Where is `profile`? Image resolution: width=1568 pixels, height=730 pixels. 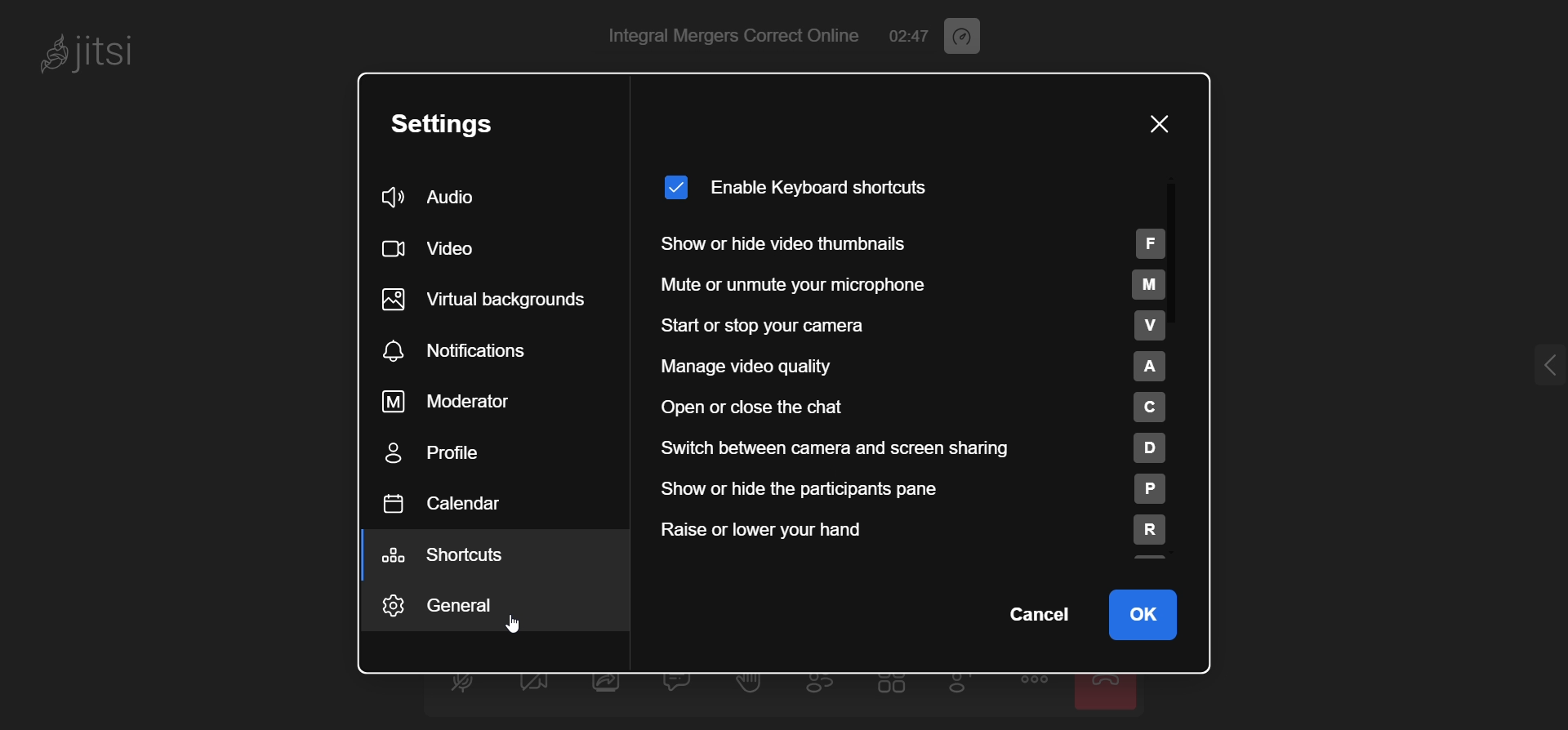
profile is located at coordinates (444, 456).